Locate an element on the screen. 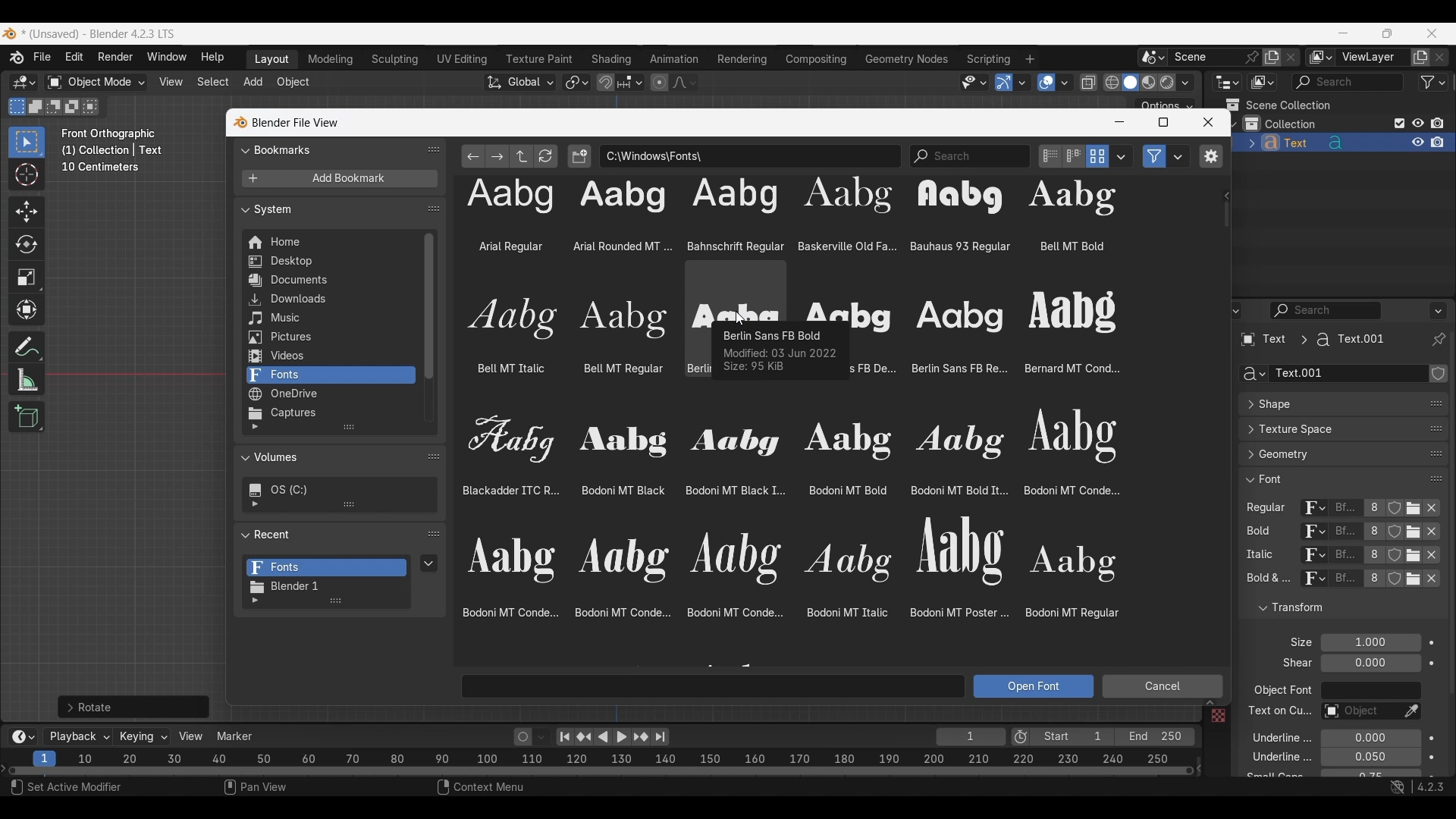 The image size is (1456, 819). Filter files is located at coordinates (1154, 156).